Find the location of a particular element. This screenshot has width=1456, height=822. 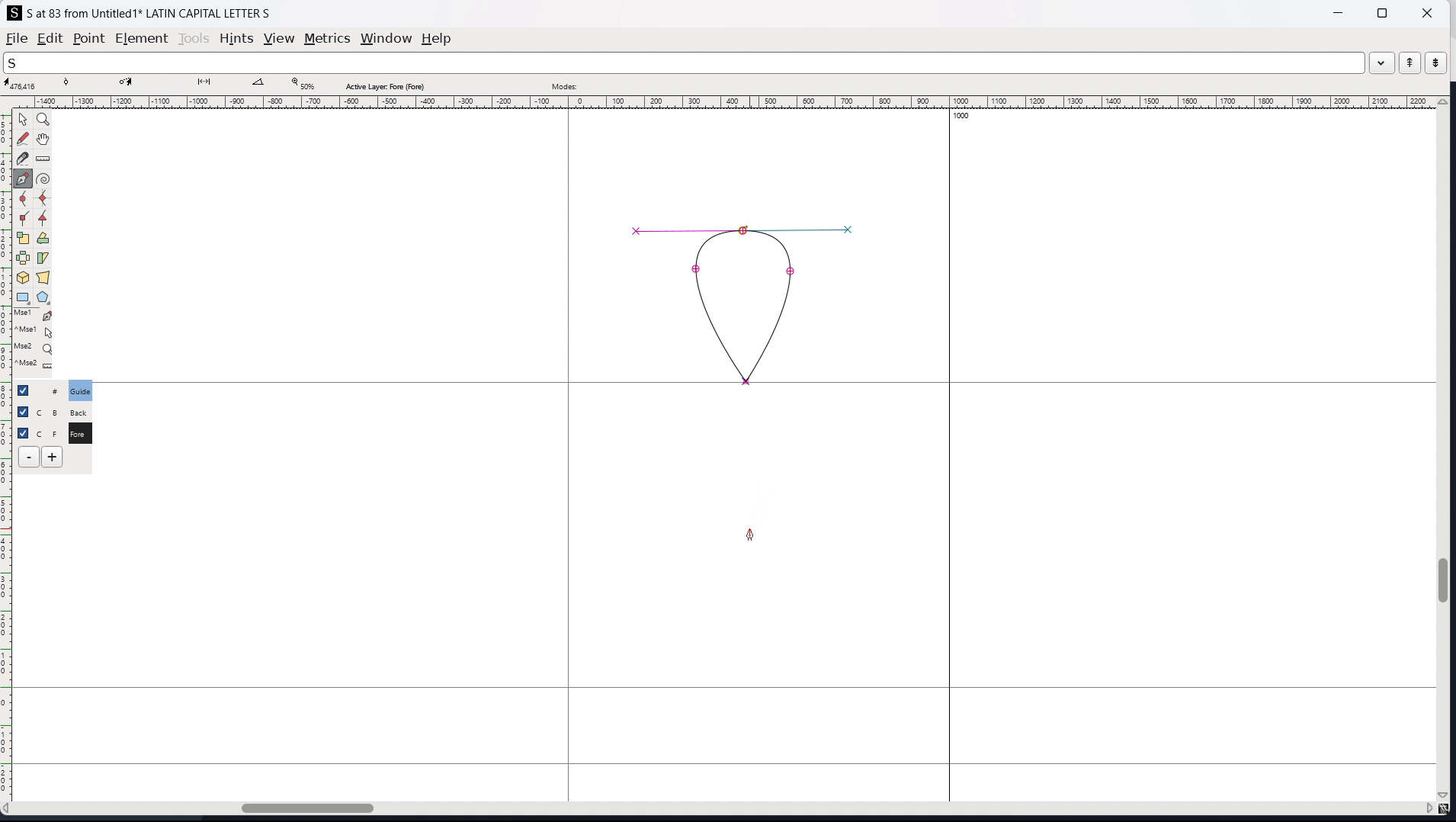

S at 83 from Untitled 1 LATIN CAPITAL LETTER S is located at coordinates (149, 12).